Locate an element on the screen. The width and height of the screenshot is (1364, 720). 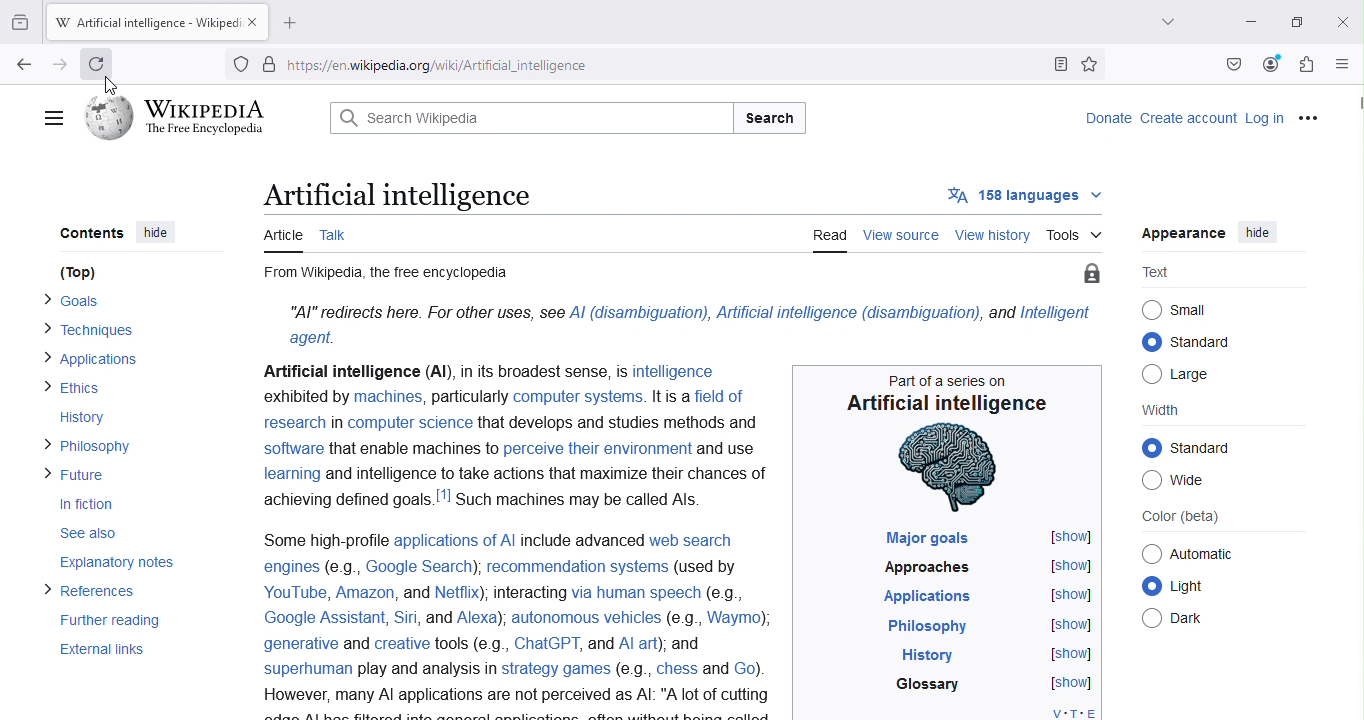
From Wikipedia, the free encyclopedia is located at coordinates (390, 278).